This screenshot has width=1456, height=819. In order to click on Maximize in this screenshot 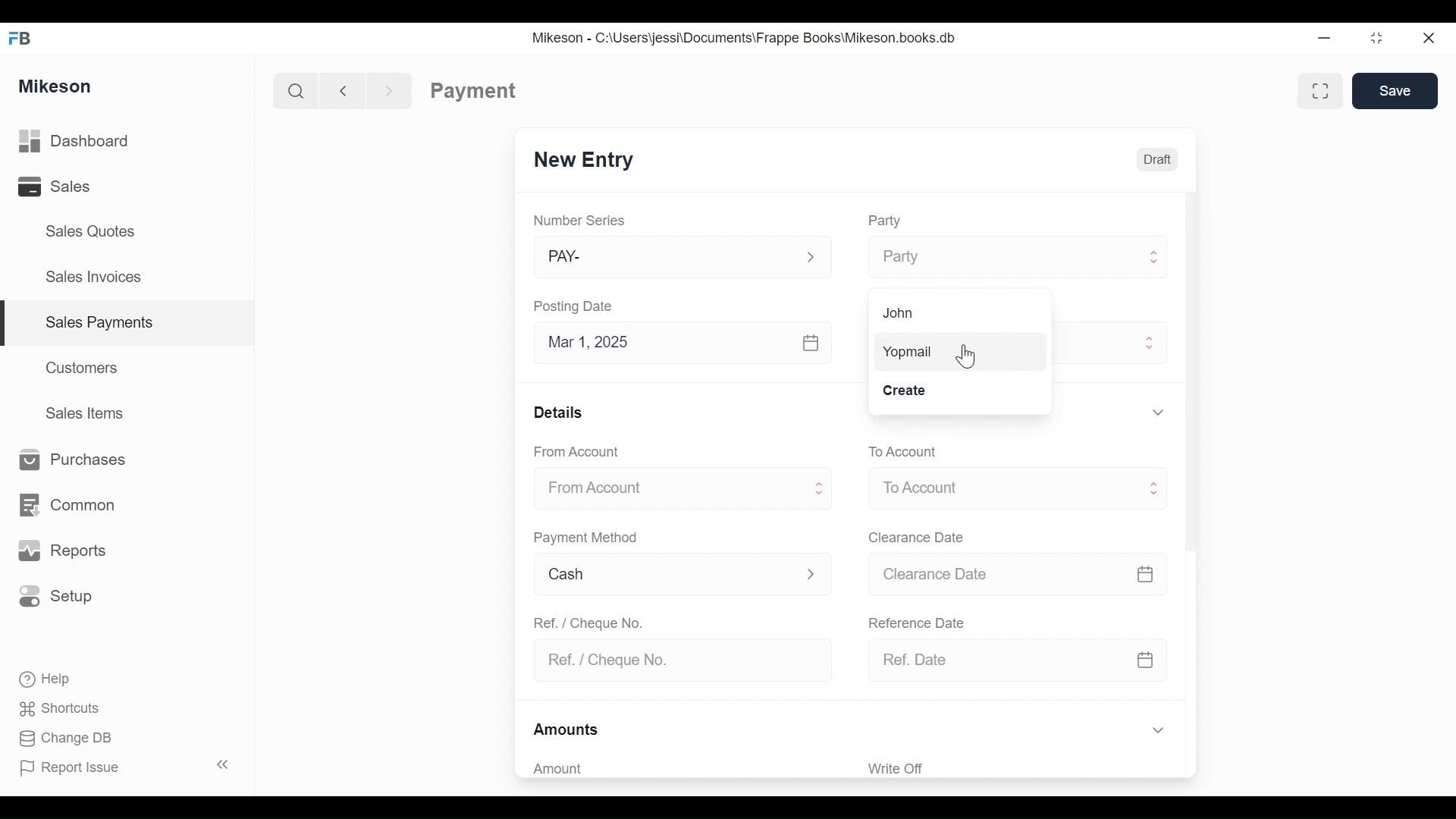, I will do `click(1374, 40)`.